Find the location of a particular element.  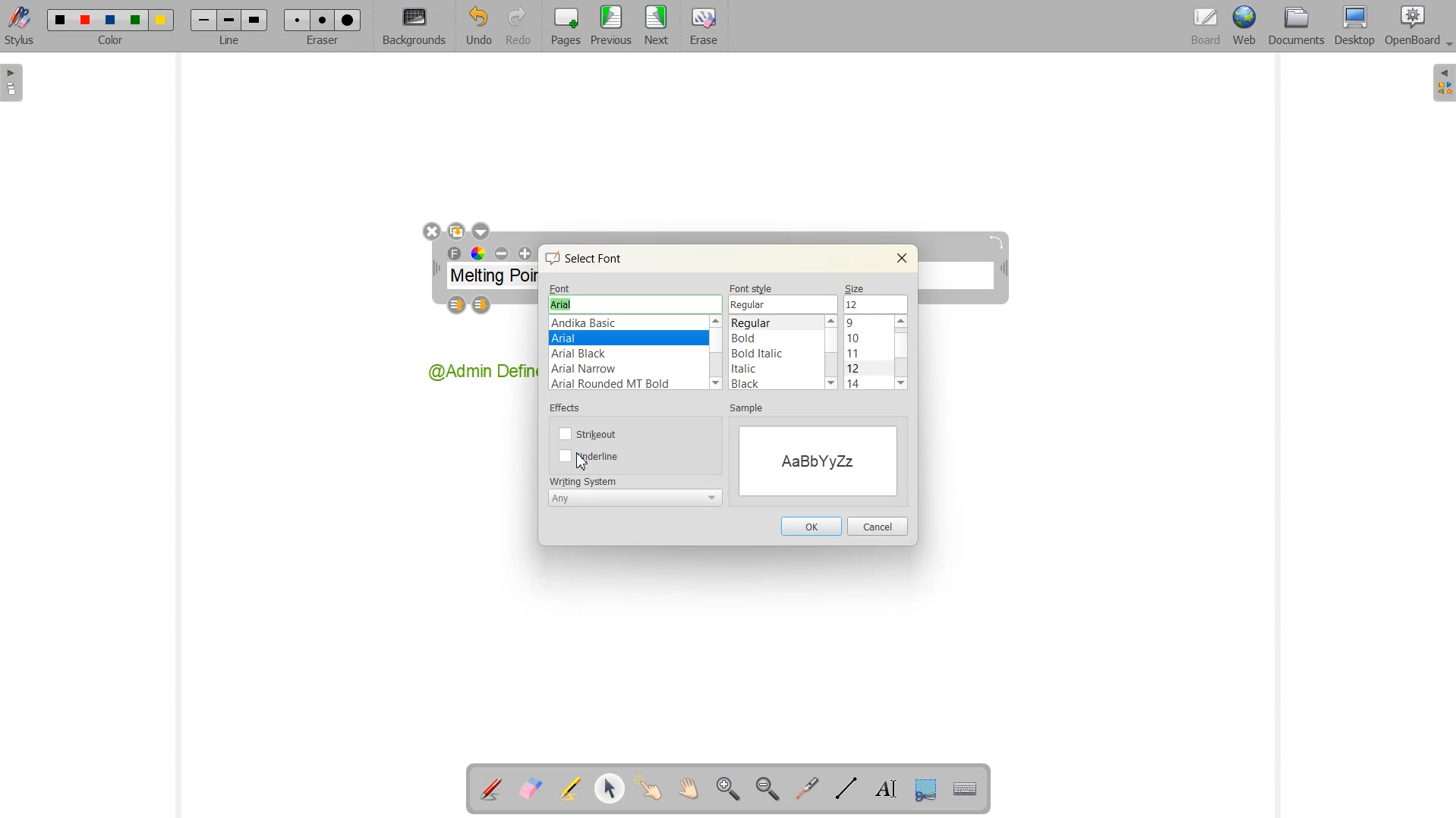

AaBbYyZz is located at coordinates (818, 459).